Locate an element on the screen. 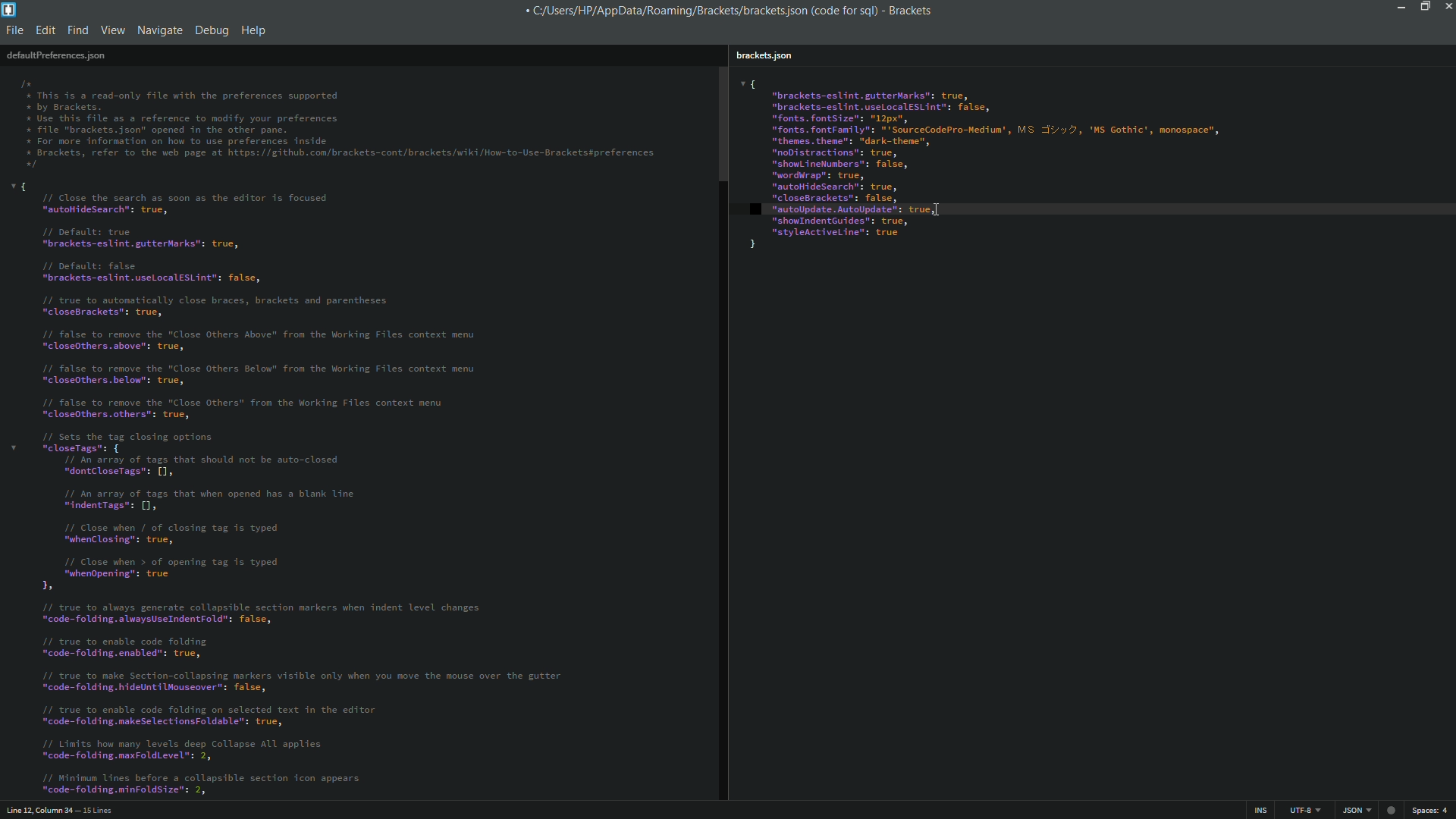 This screenshot has height=819, width=1456. file menu is located at coordinates (15, 30).